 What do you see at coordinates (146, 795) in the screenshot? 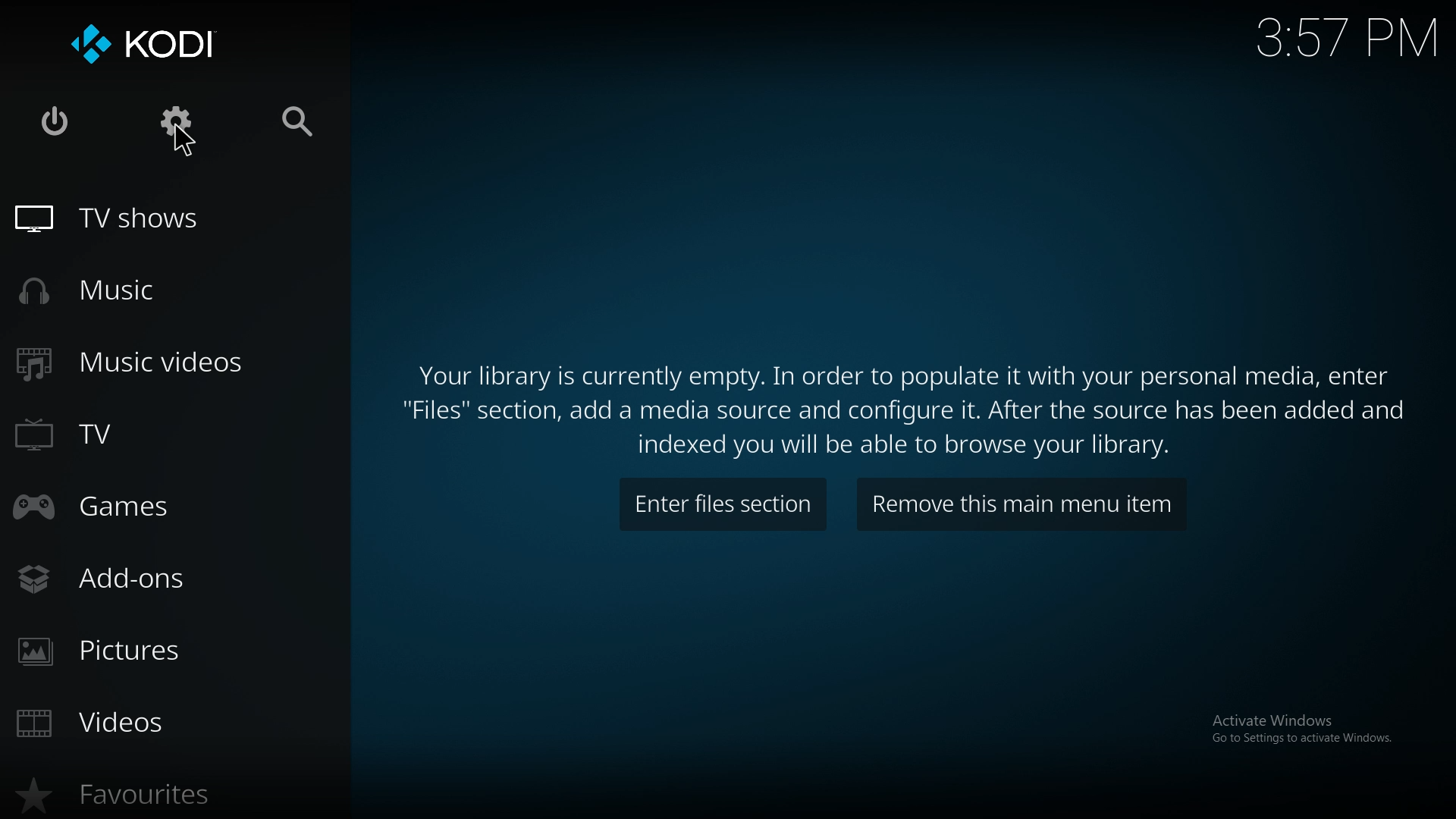
I see `favourites` at bounding box center [146, 795].